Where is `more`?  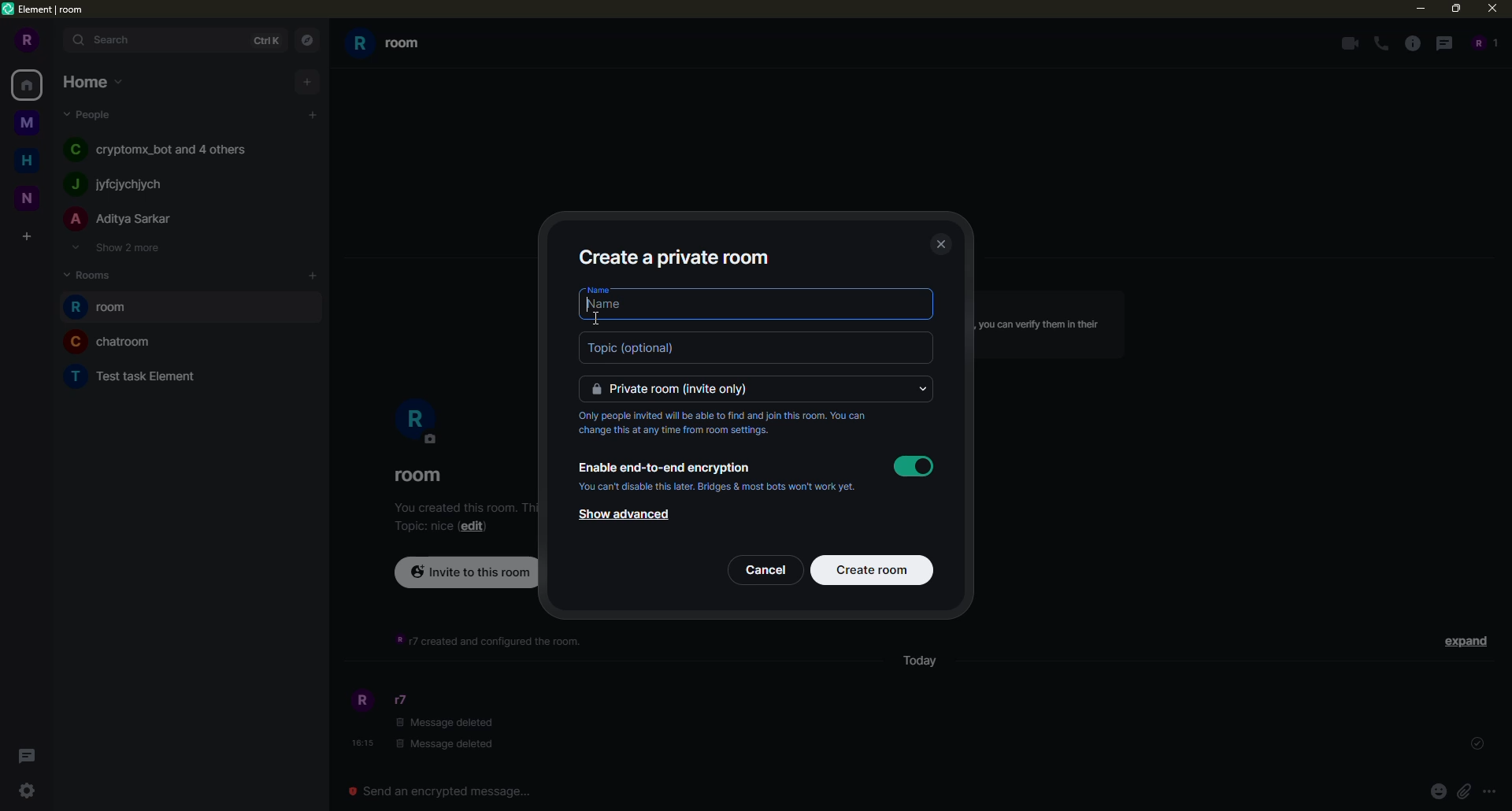 more is located at coordinates (1493, 793).